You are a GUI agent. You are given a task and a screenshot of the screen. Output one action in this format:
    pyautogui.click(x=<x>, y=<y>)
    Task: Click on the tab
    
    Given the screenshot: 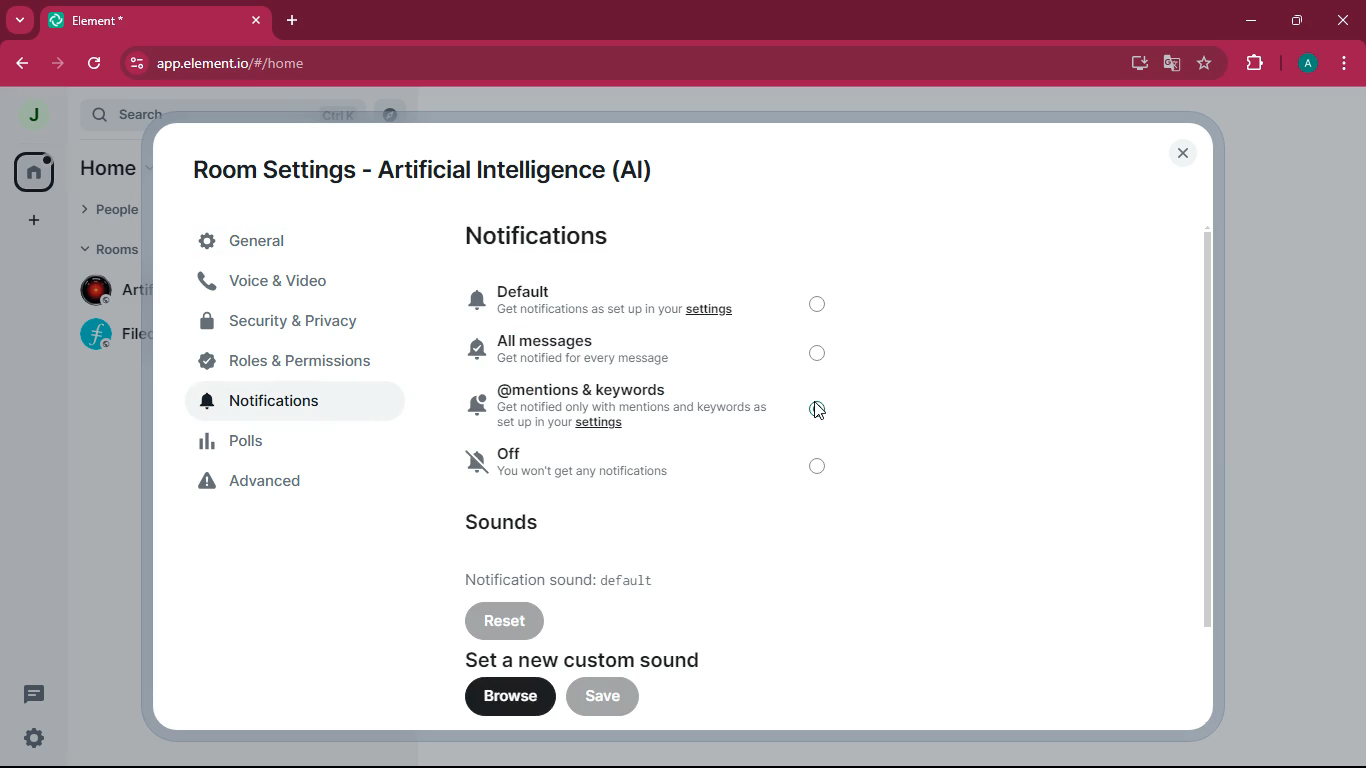 What is the action you would take?
    pyautogui.click(x=161, y=24)
    